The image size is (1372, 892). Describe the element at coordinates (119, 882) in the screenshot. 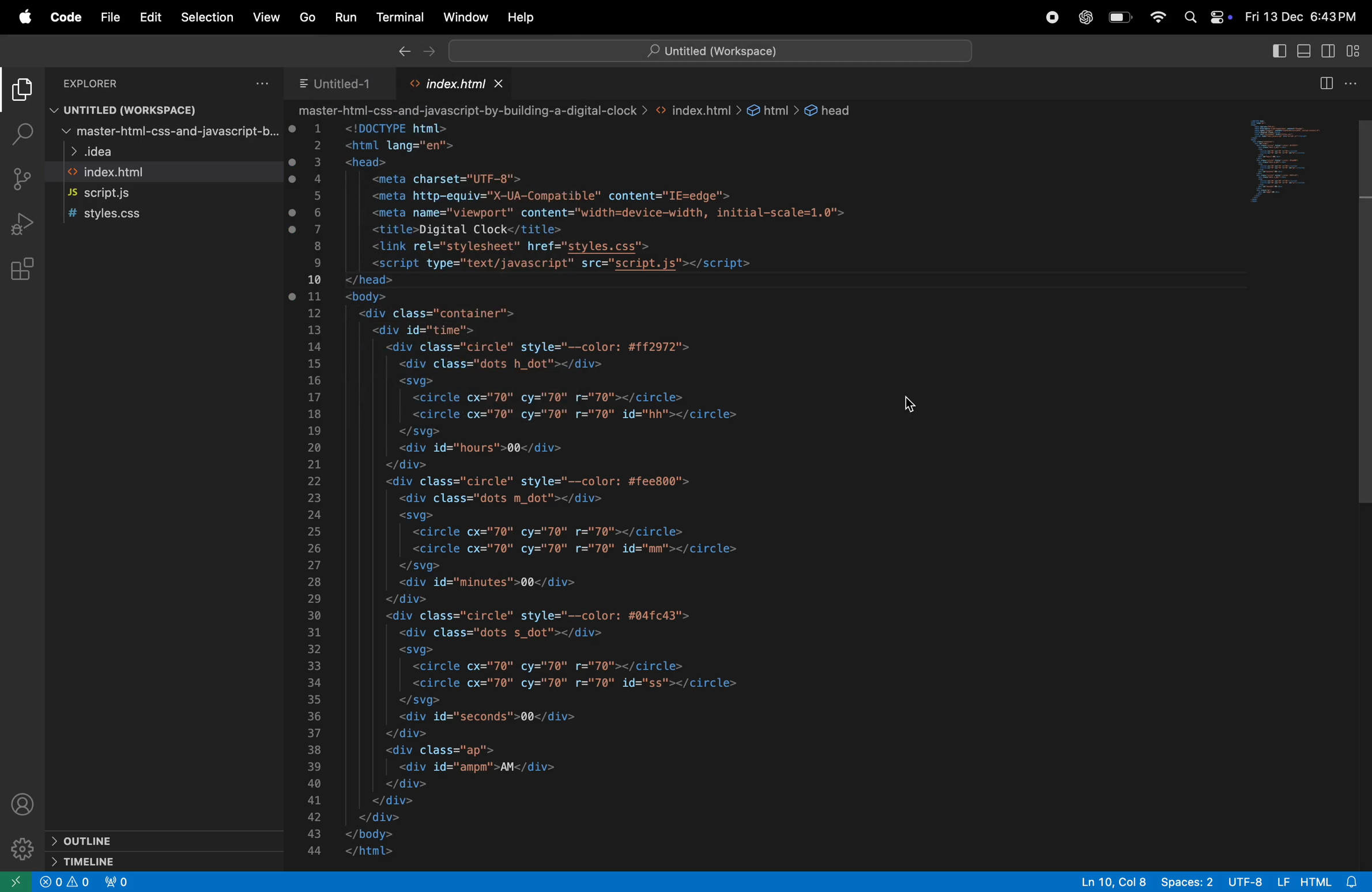

I see `no forwarded` at that location.